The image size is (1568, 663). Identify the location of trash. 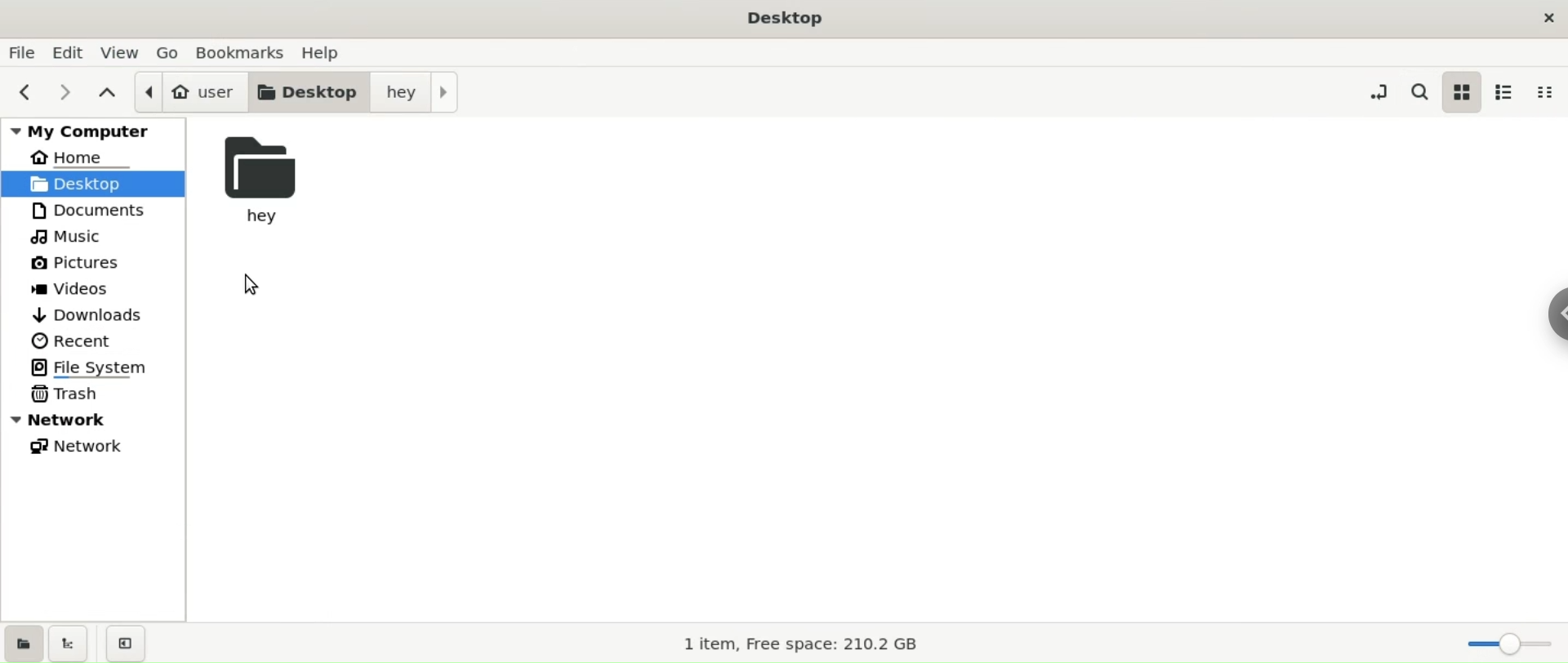
(105, 394).